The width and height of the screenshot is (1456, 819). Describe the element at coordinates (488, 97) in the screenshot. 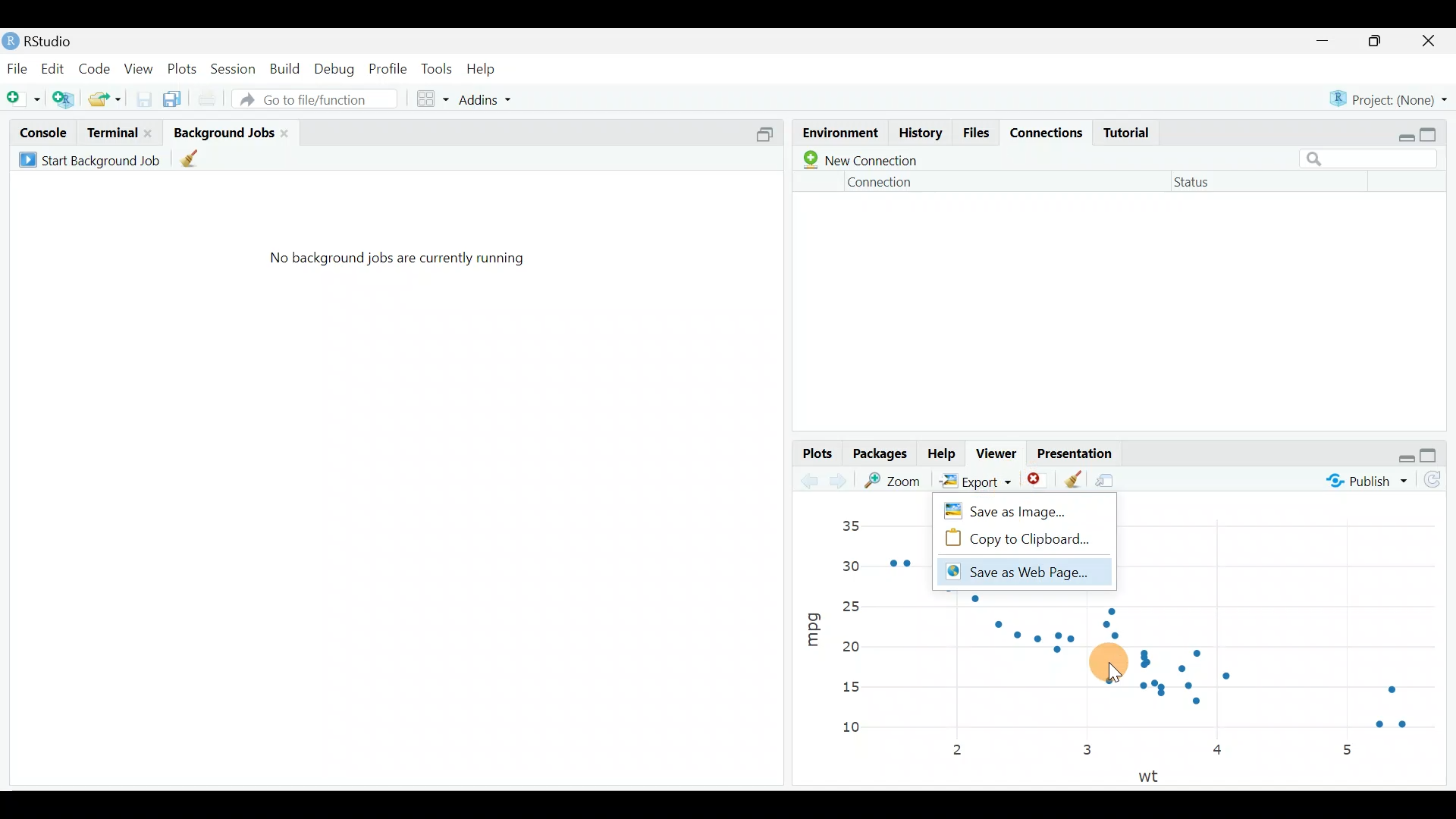

I see `Addins` at that location.